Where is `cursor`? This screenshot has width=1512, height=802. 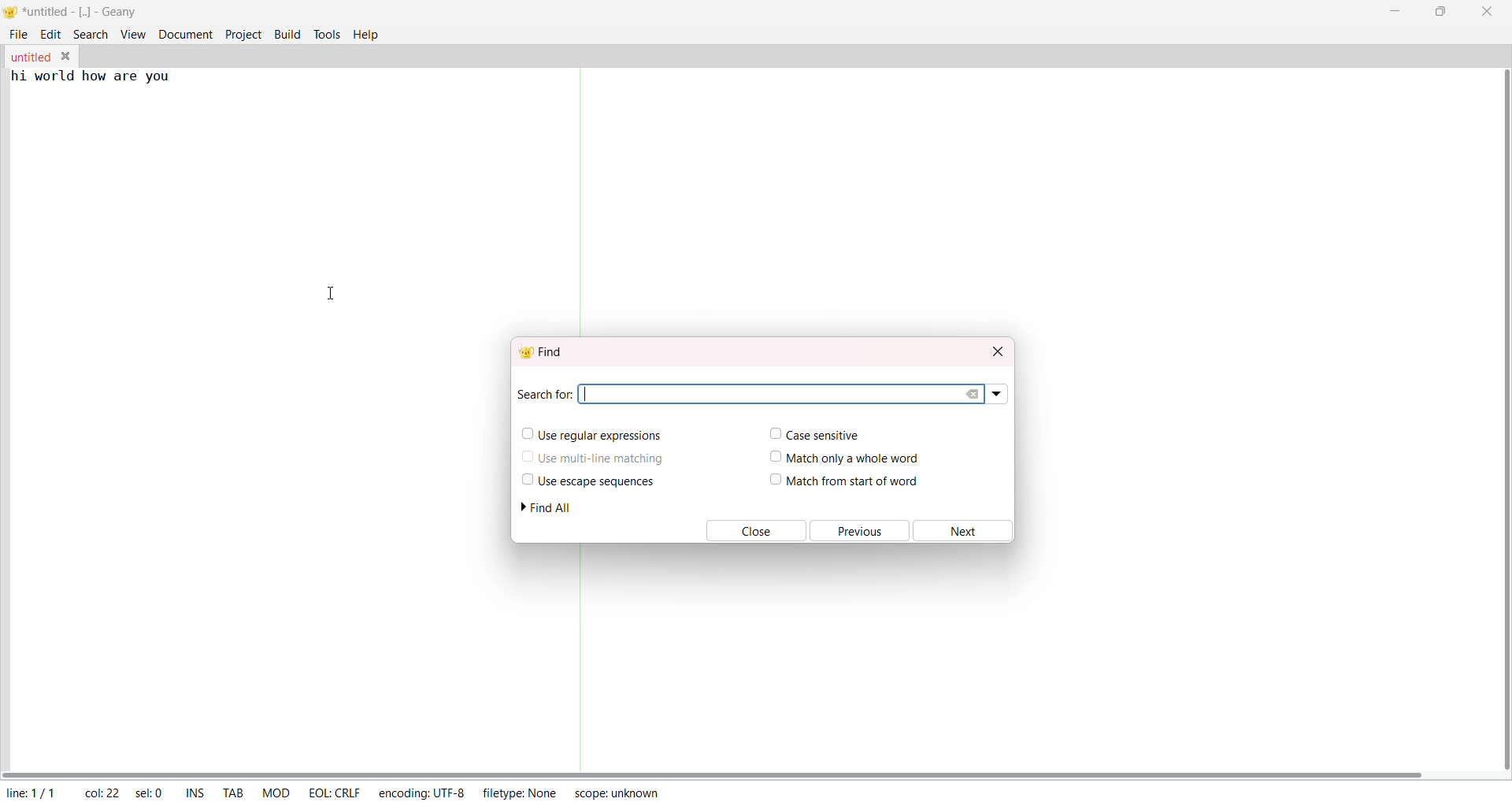
cursor is located at coordinates (332, 290).